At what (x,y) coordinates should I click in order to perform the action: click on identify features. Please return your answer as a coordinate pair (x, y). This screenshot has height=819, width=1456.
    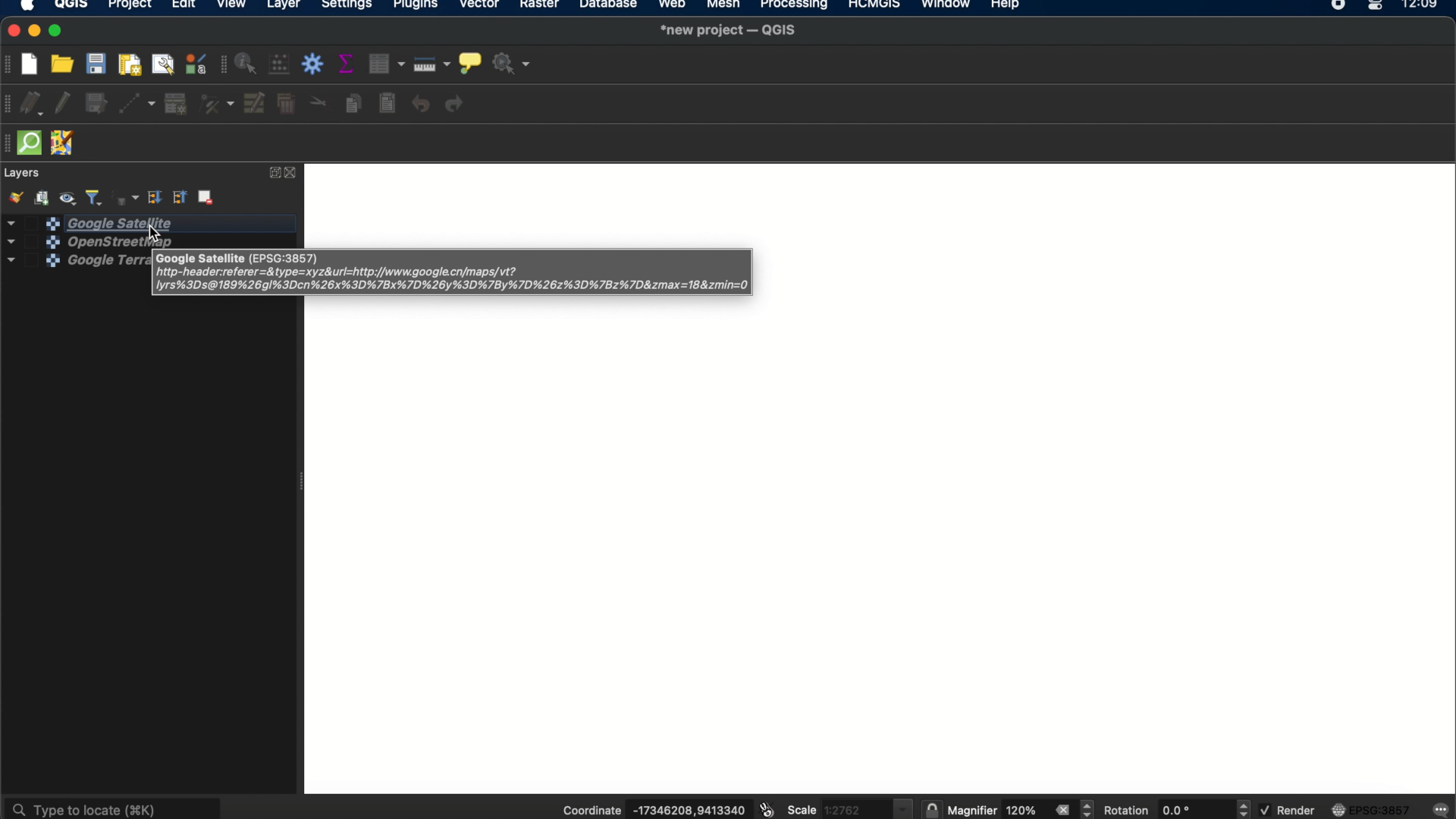
    Looking at the image, I should click on (248, 64).